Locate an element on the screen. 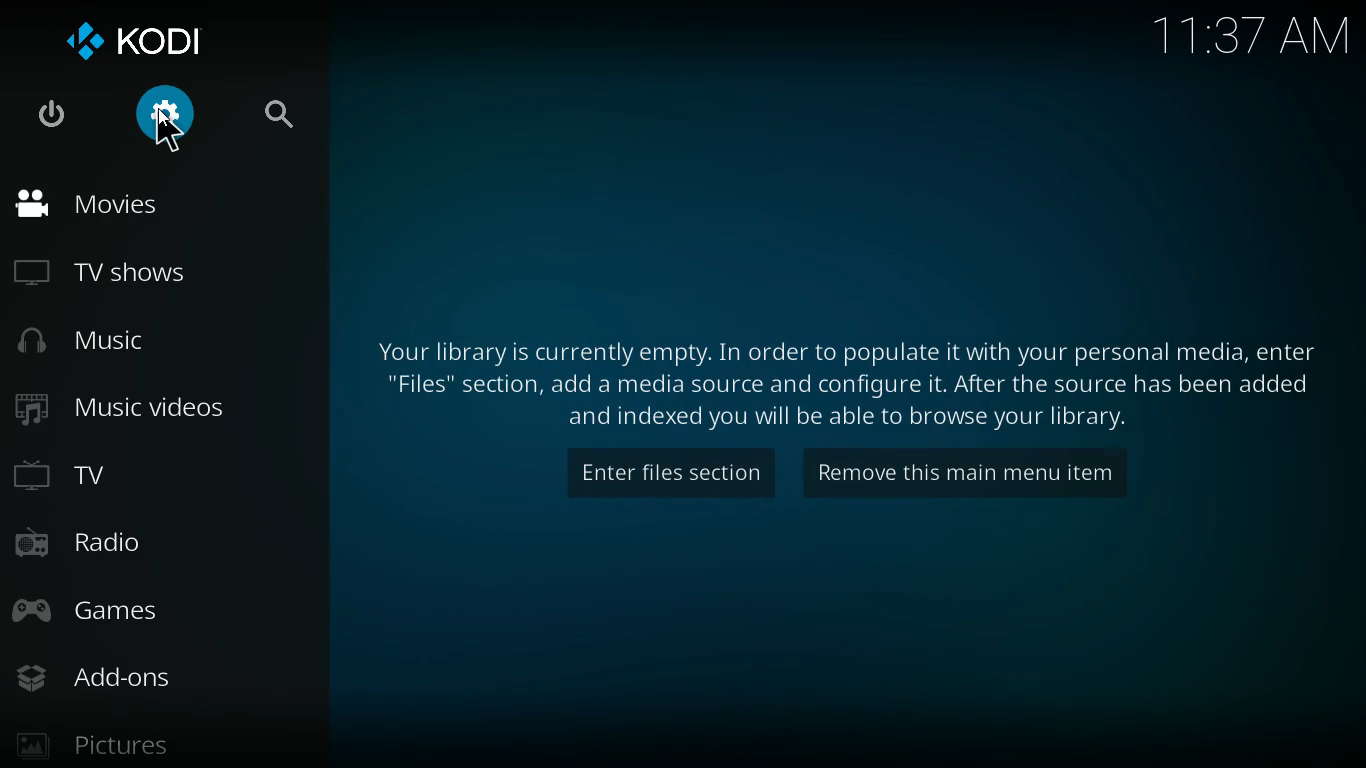  11.37 AM is located at coordinates (1252, 37).